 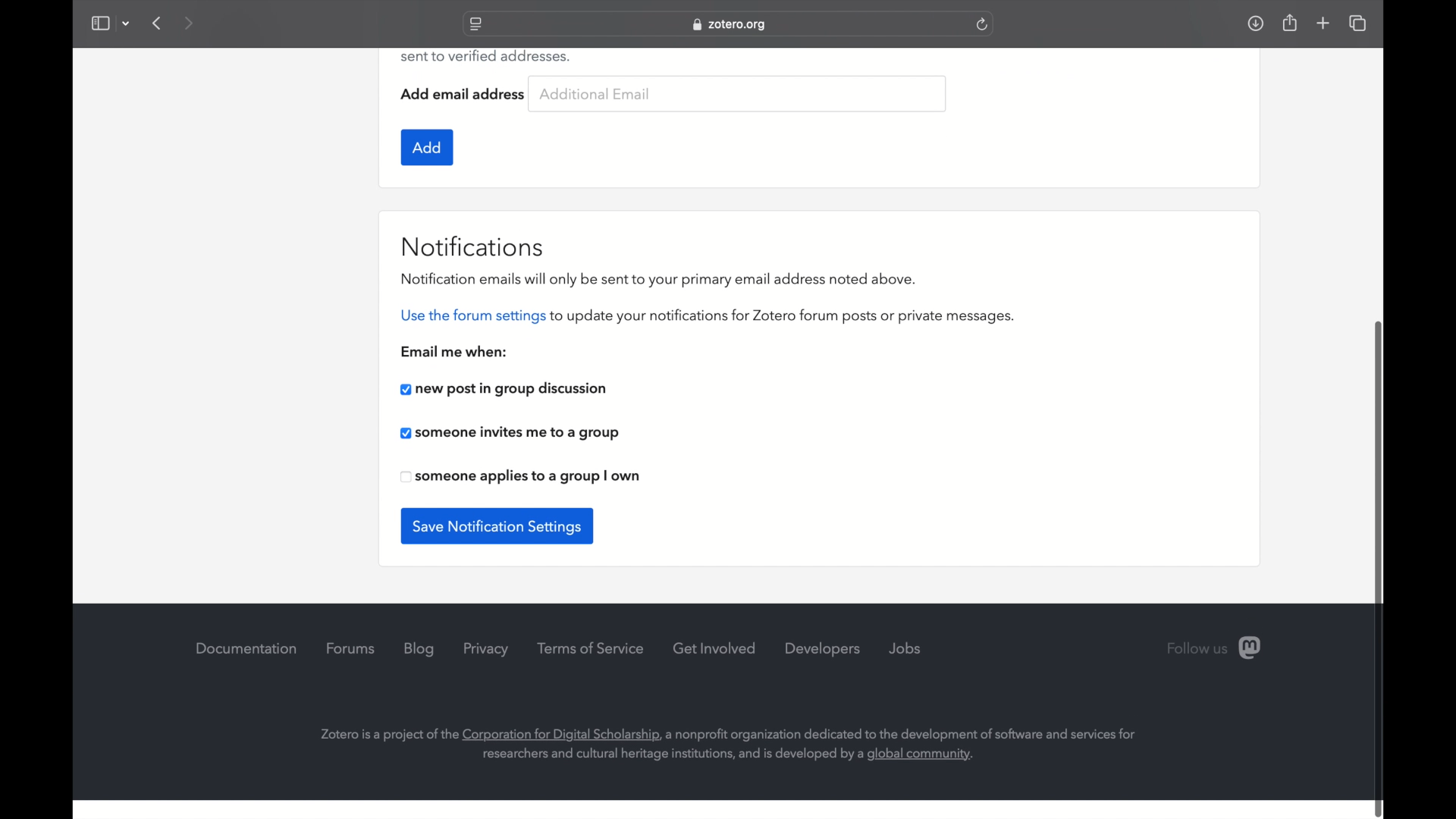 I want to click on terms of service, so click(x=591, y=648).